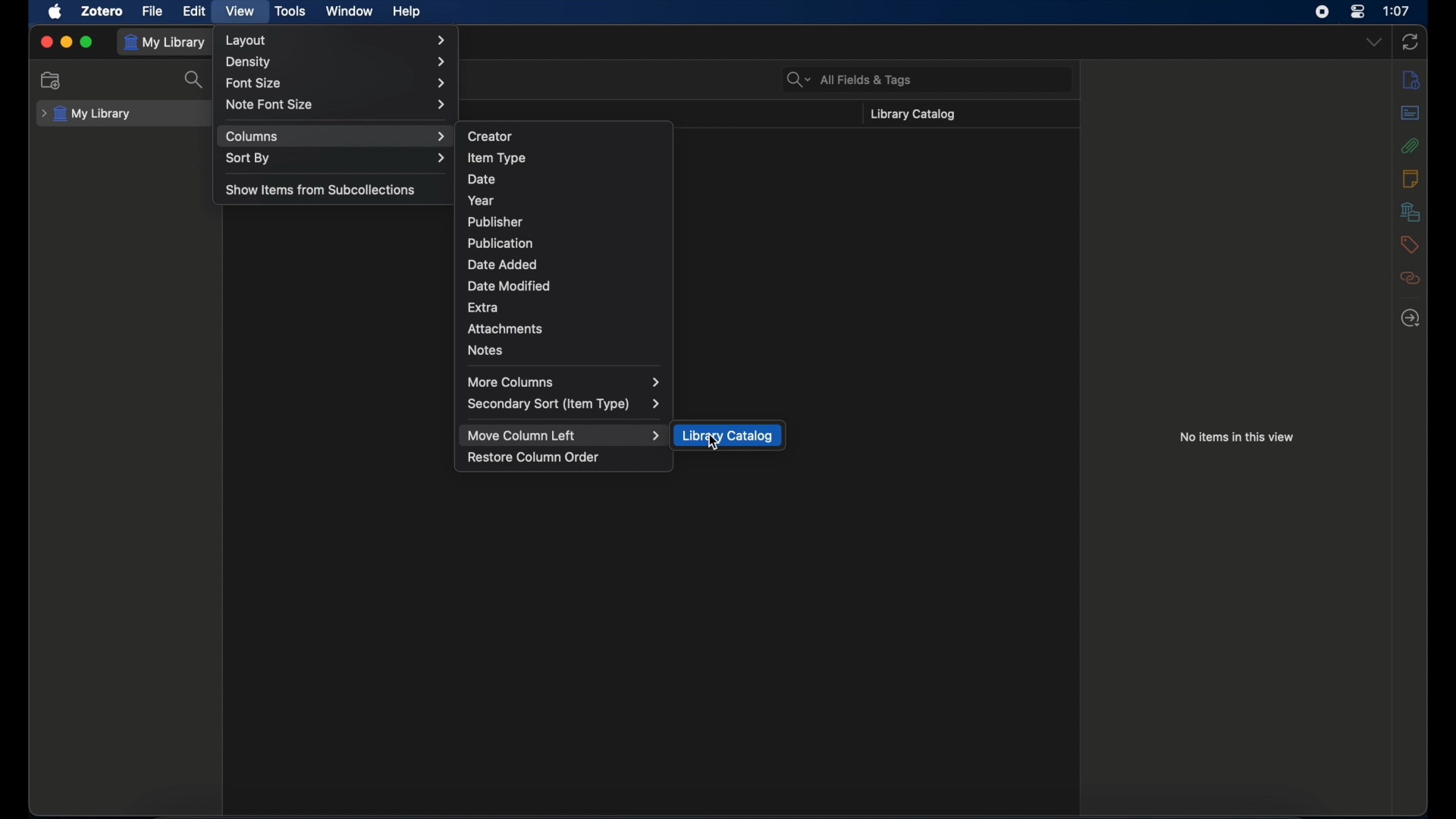 The image size is (1456, 819). What do you see at coordinates (497, 158) in the screenshot?
I see `item type` at bounding box center [497, 158].